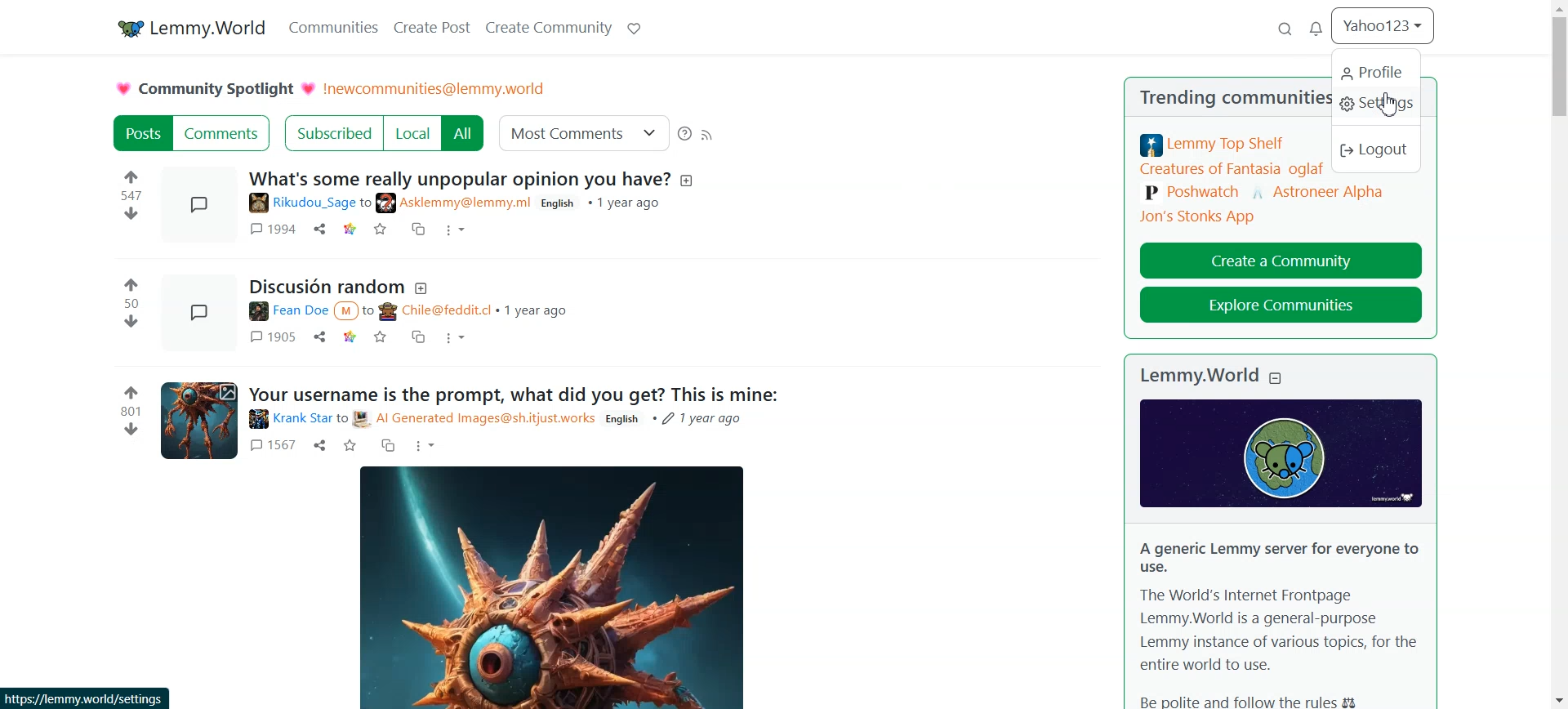  What do you see at coordinates (321, 445) in the screenshot?
I see `share` at bounding box center [321, 445].